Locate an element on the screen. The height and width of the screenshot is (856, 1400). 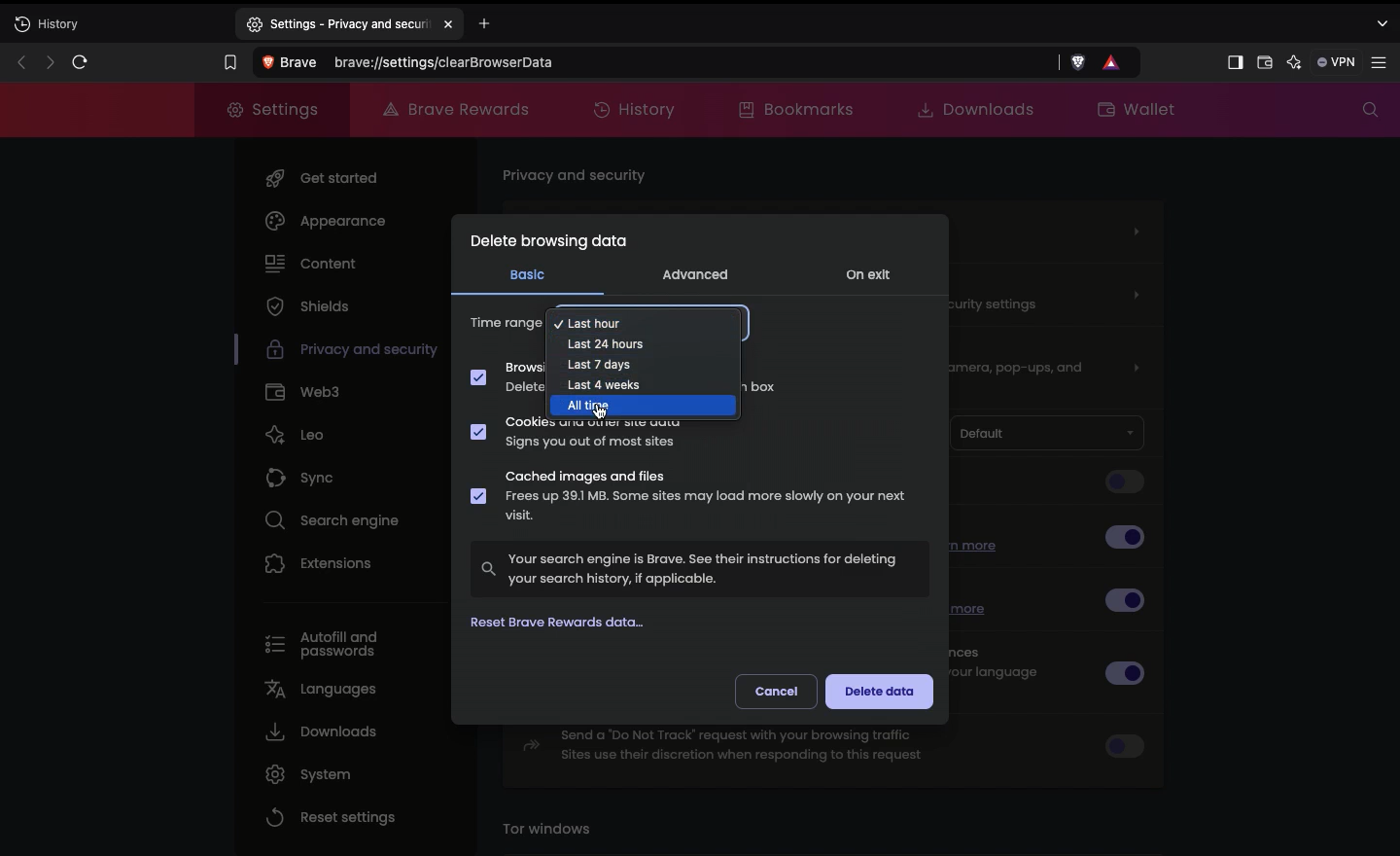
Tor windows is located at coordinates (553, 830).